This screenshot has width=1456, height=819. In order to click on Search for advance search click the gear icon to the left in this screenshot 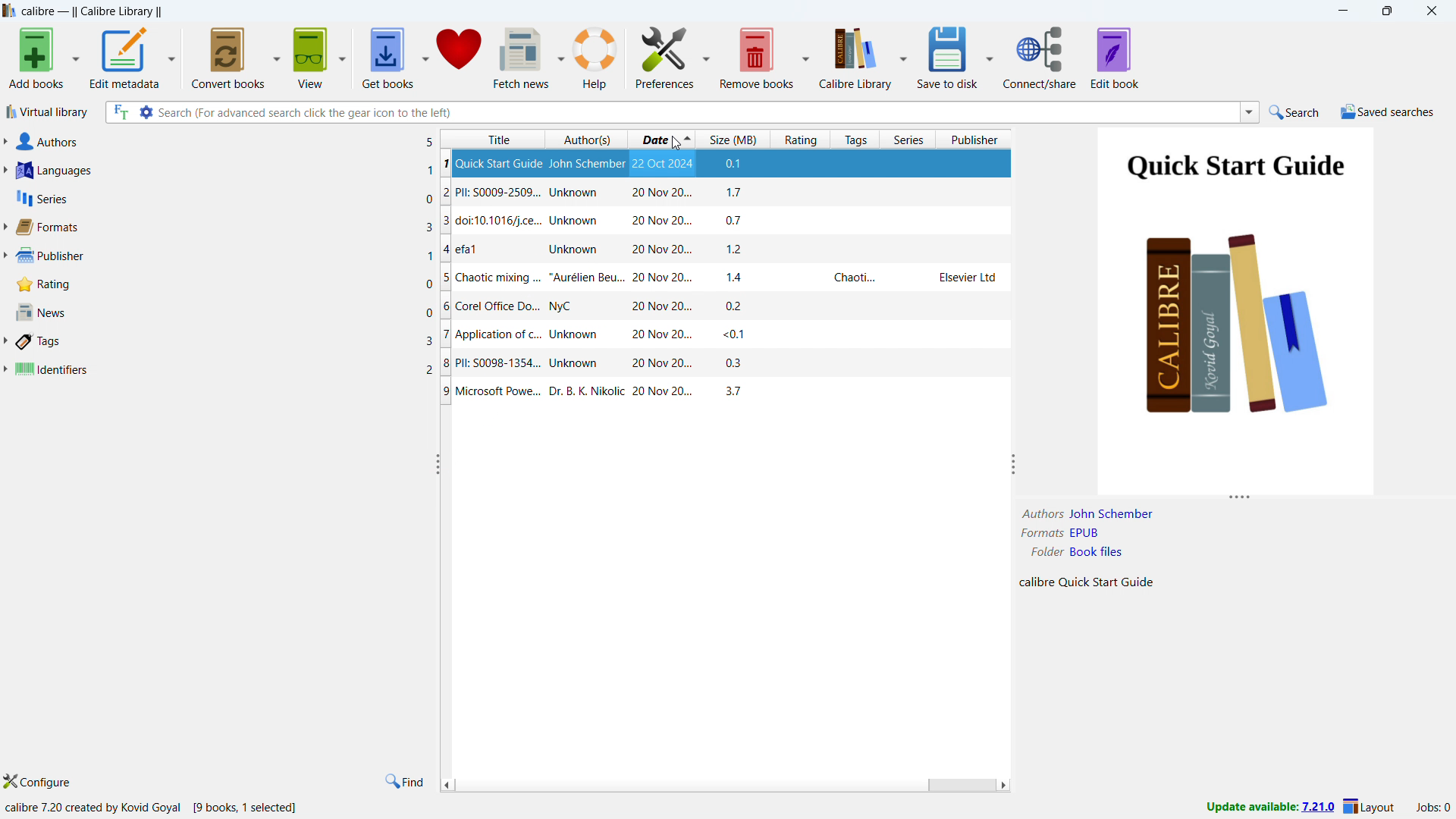, I will do `click(696, 111)`.